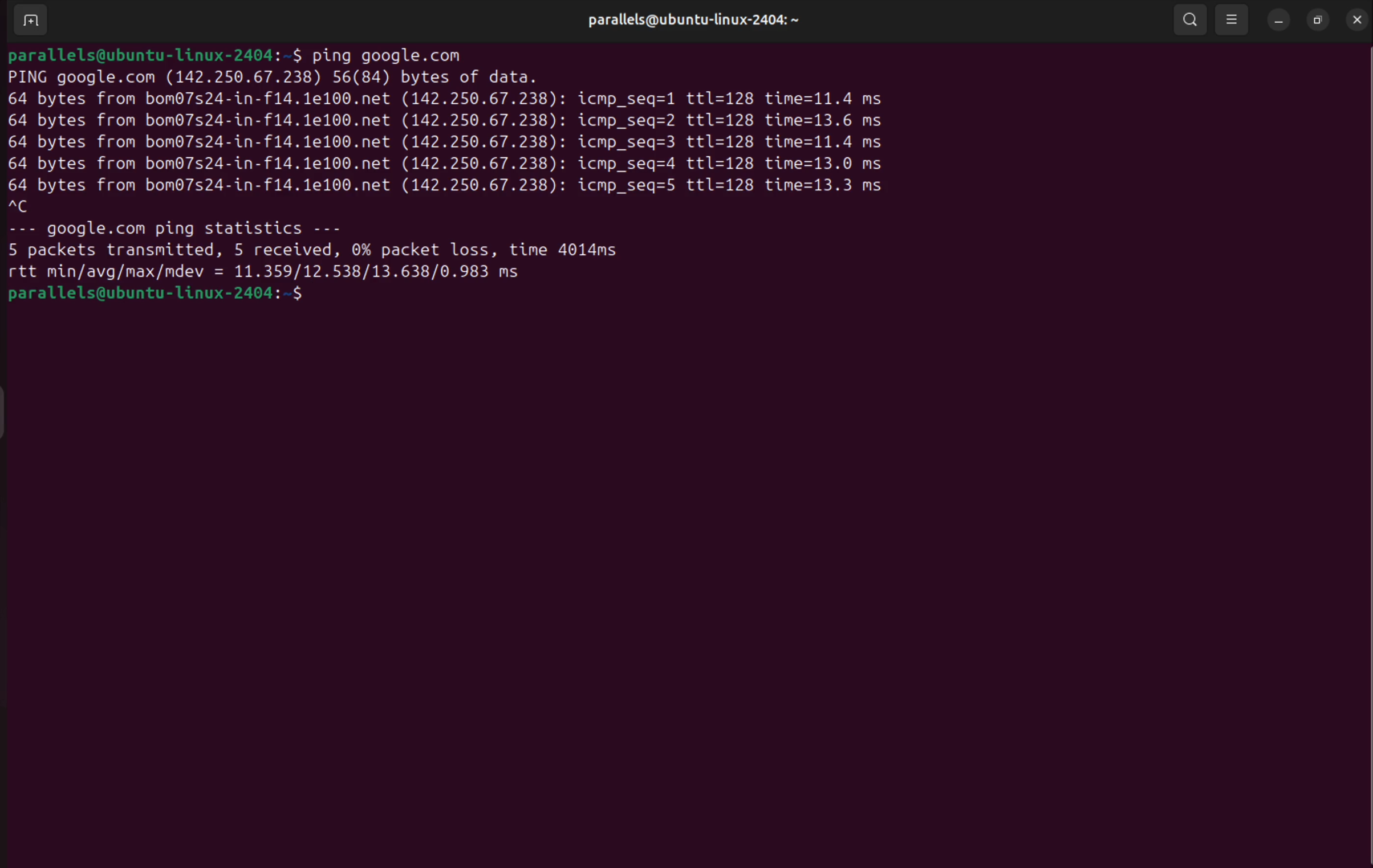 This screenshot has width=1373, height=868. I want to click on ttl 128, so click(724, 143).